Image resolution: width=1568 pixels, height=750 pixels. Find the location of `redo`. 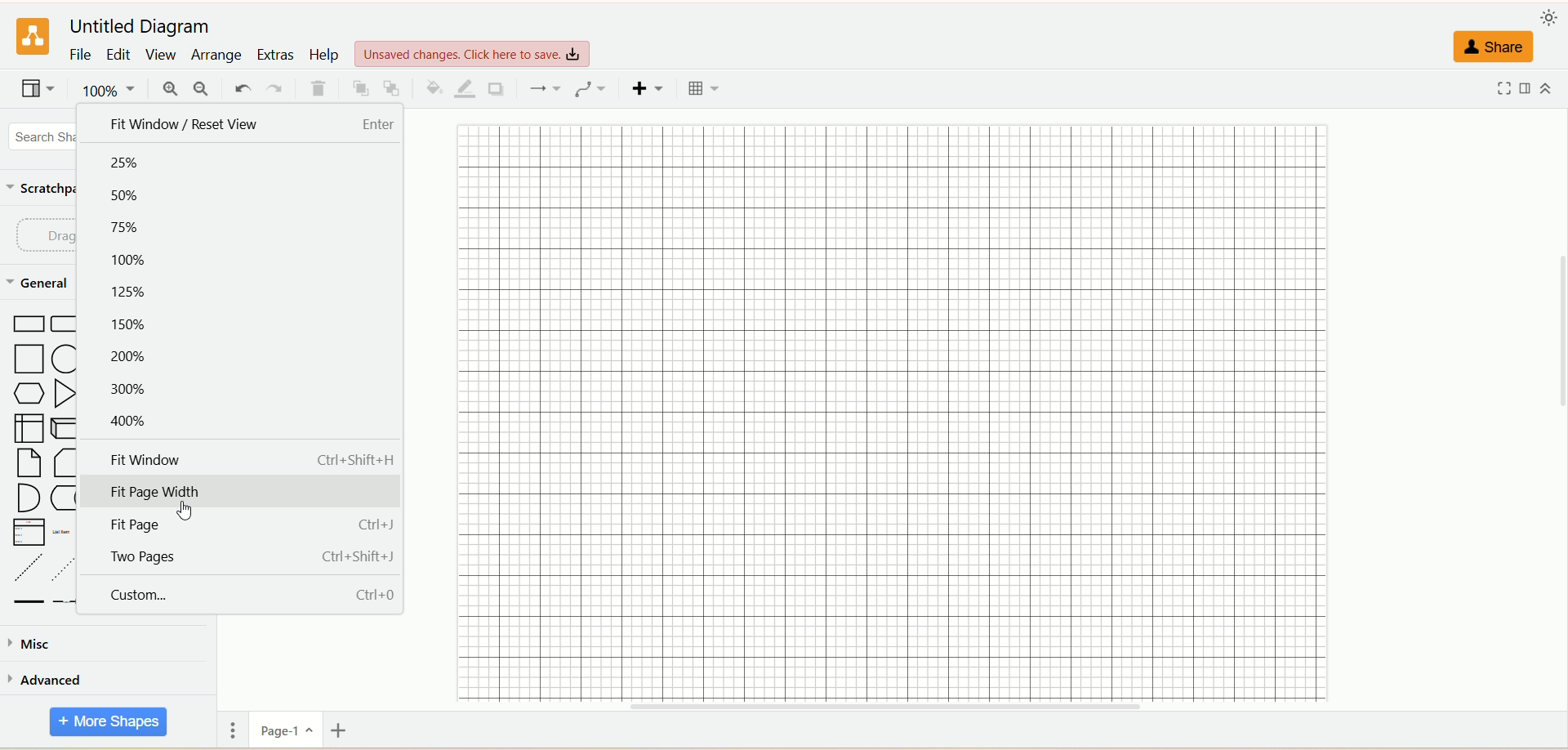

redo is located at coordinates (277, 87).